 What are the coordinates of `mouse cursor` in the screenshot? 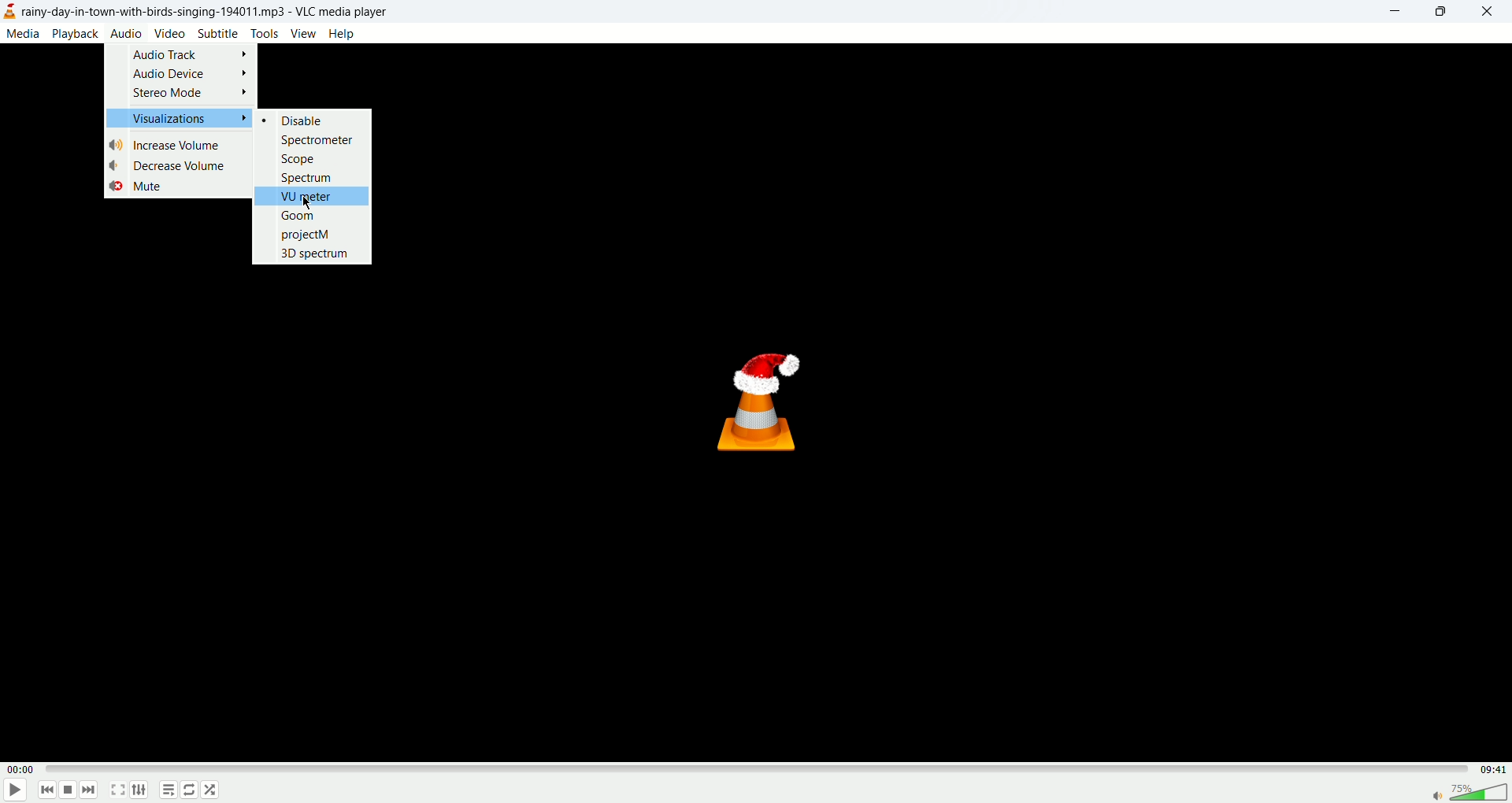 It's located at (313, 206).